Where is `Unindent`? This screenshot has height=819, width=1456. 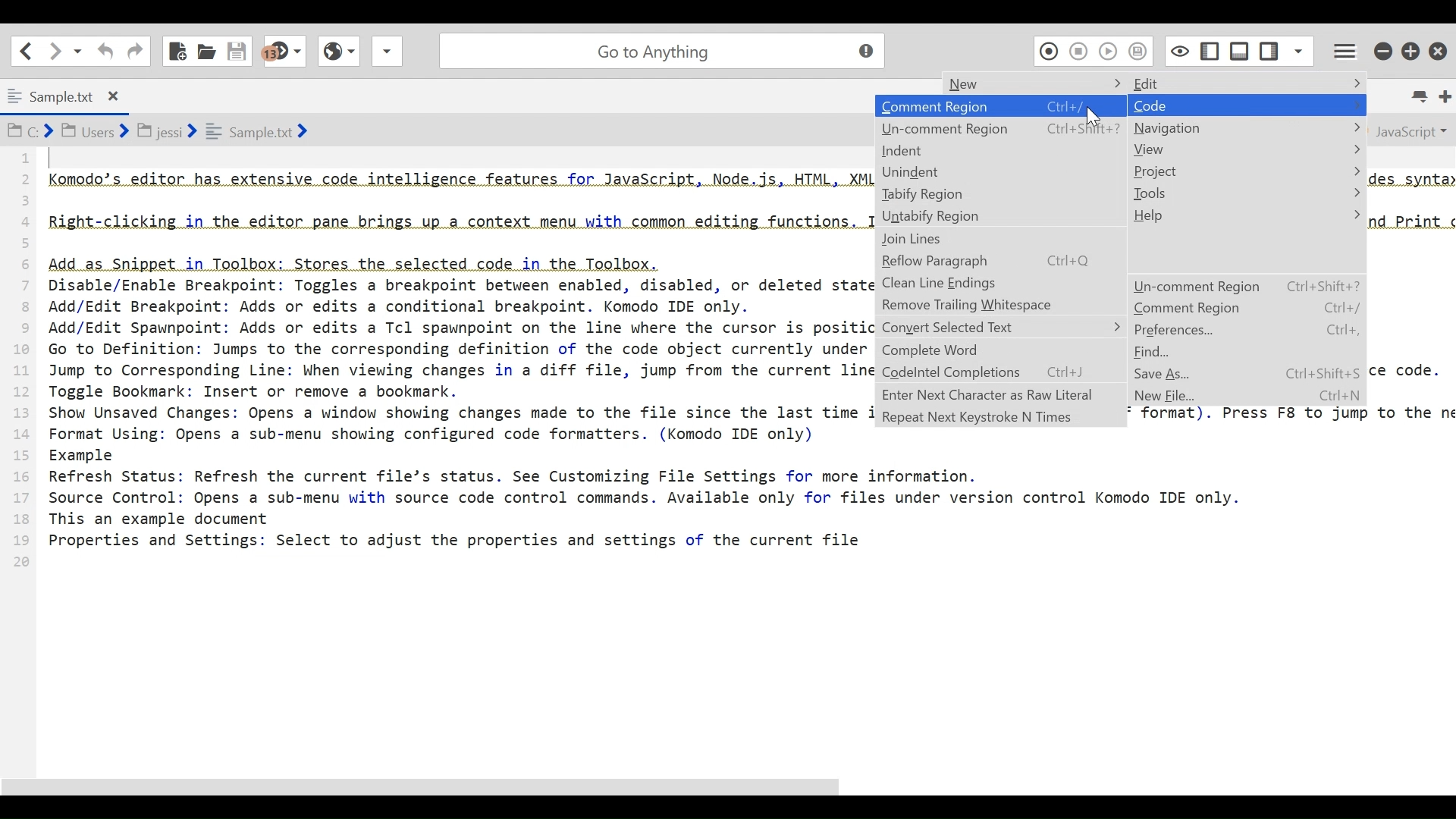
Unindent is located at coordinates (999, 171).